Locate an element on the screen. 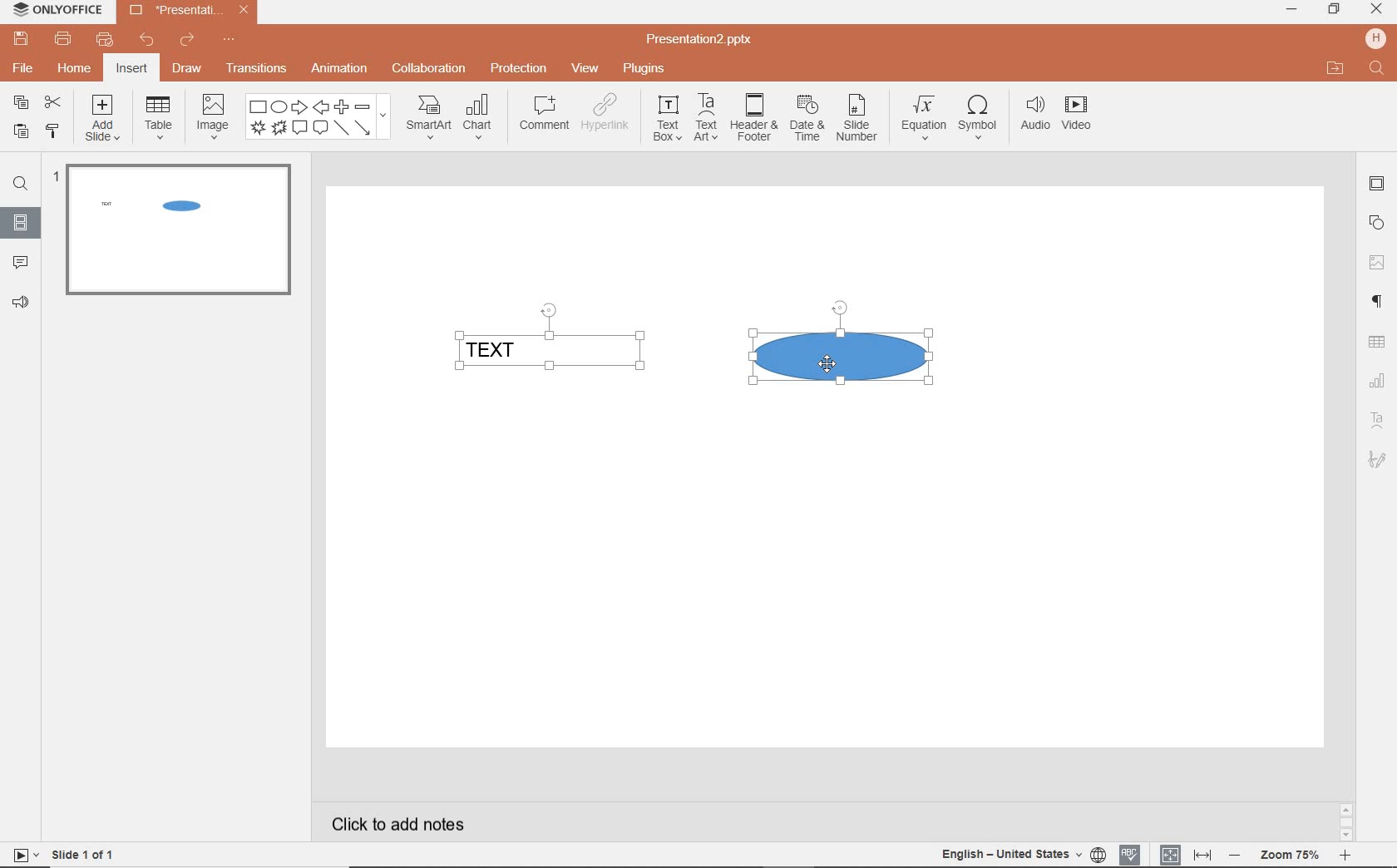 The height and width of the screenshot is (868, 1397). IMAGE SETTINGS is located at coordinates (1377, 262).